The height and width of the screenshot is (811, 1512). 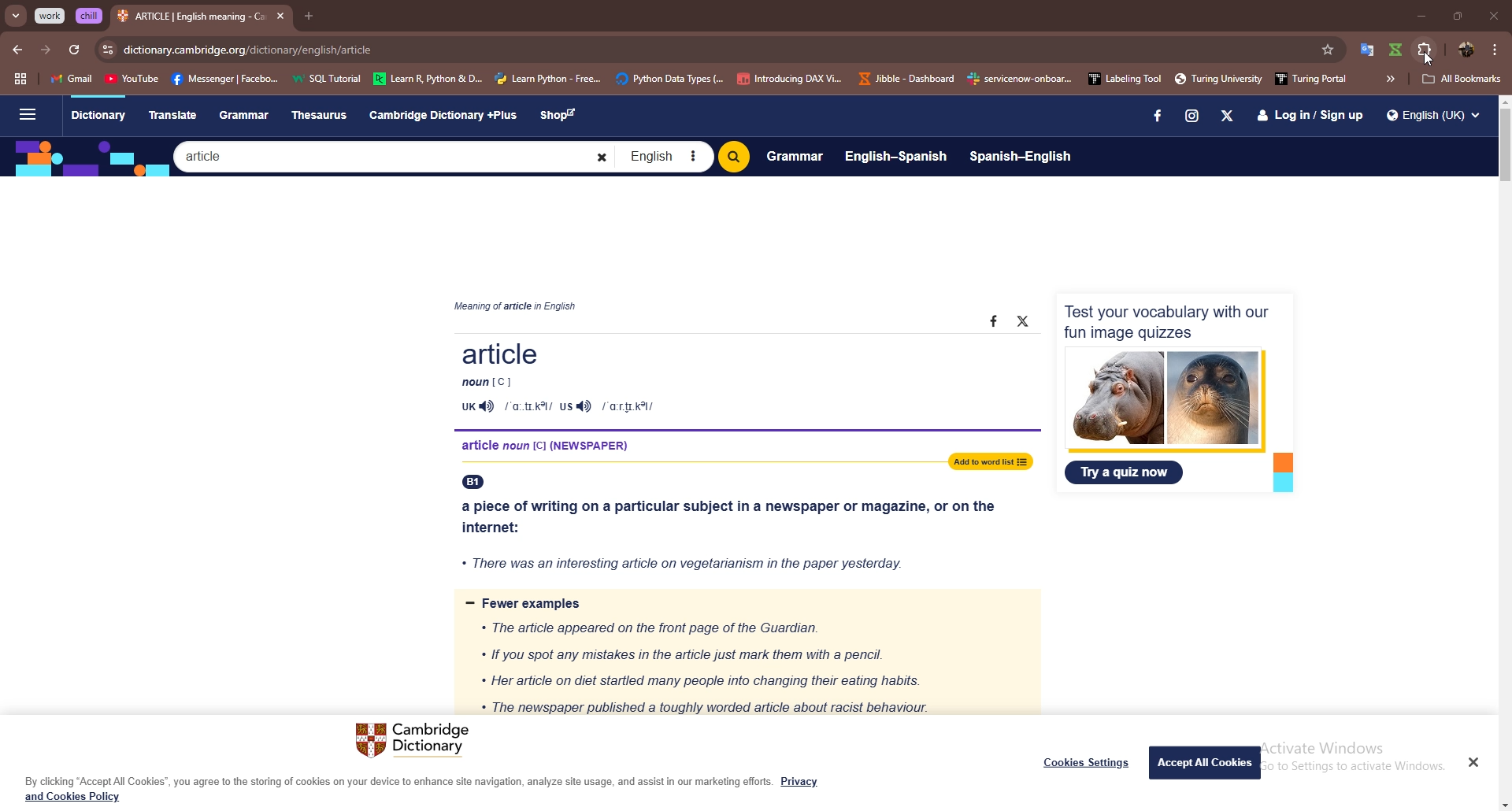 What do you see at coordinates (1473, 761) in the screenshot?
I see `Close` at bounding box center [1473, 761].